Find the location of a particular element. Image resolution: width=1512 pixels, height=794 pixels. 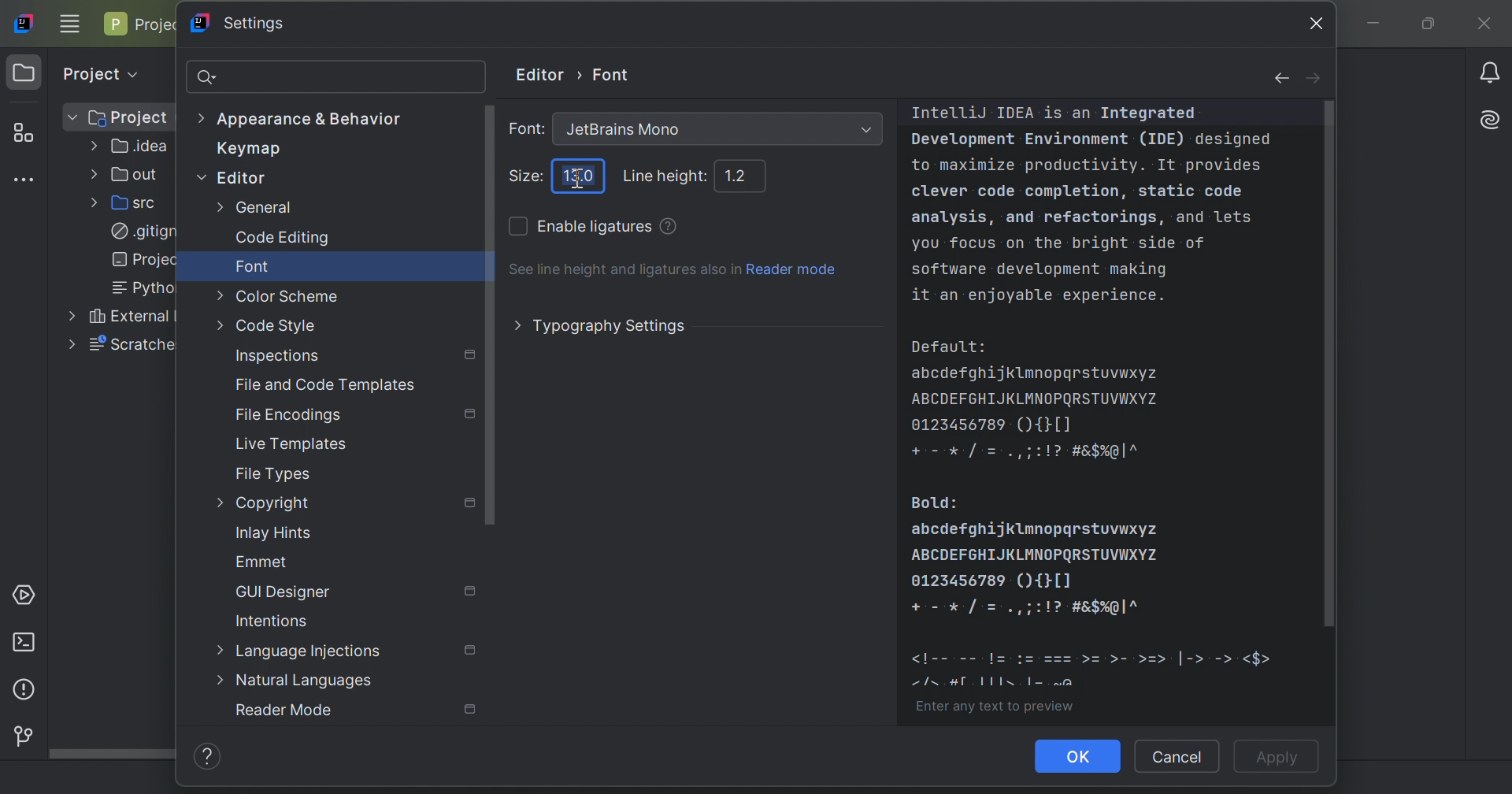

Checkbox is located at coordinates (516, 228).